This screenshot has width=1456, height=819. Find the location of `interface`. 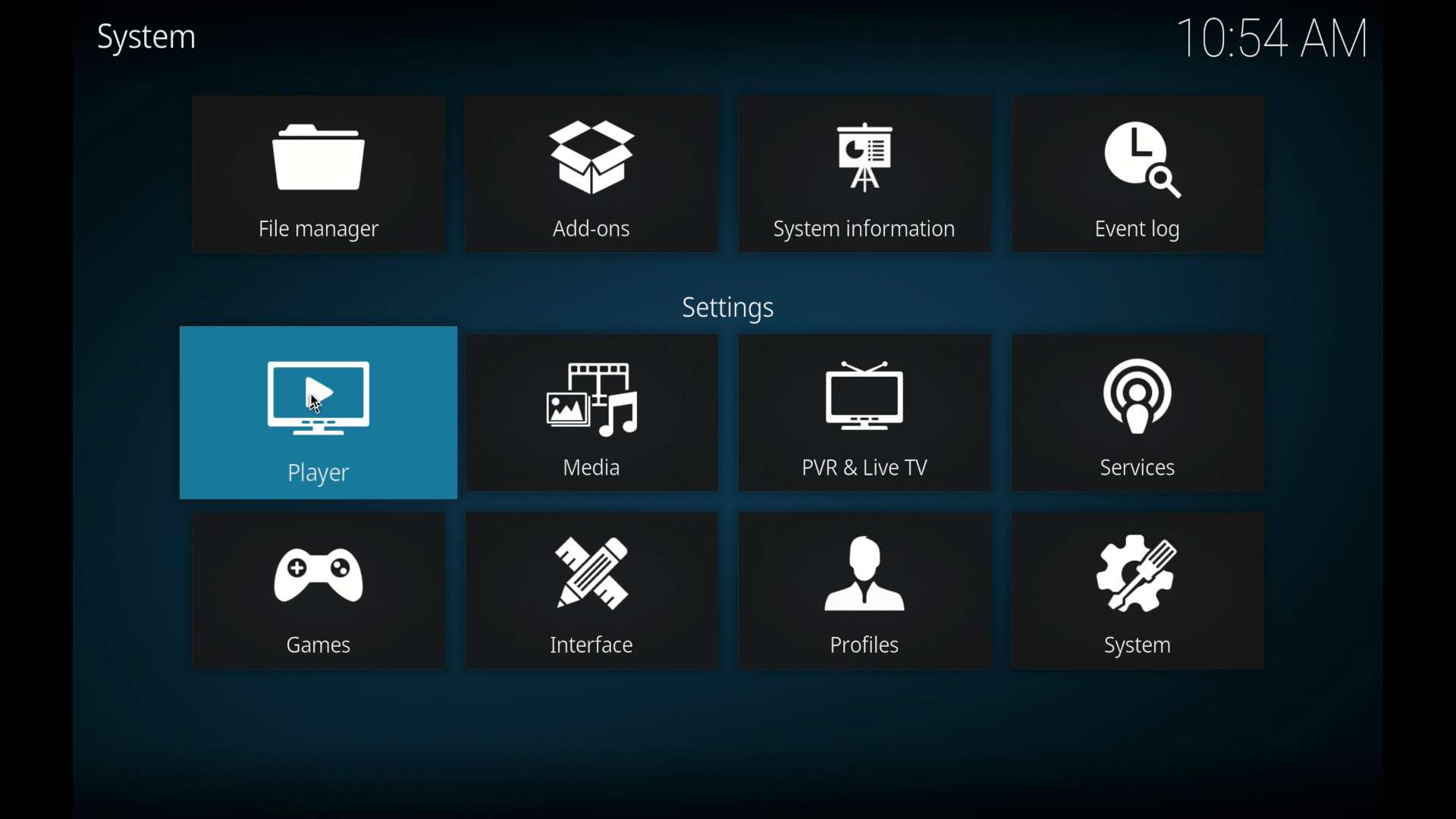

interface is located at coordinates (591, 591).